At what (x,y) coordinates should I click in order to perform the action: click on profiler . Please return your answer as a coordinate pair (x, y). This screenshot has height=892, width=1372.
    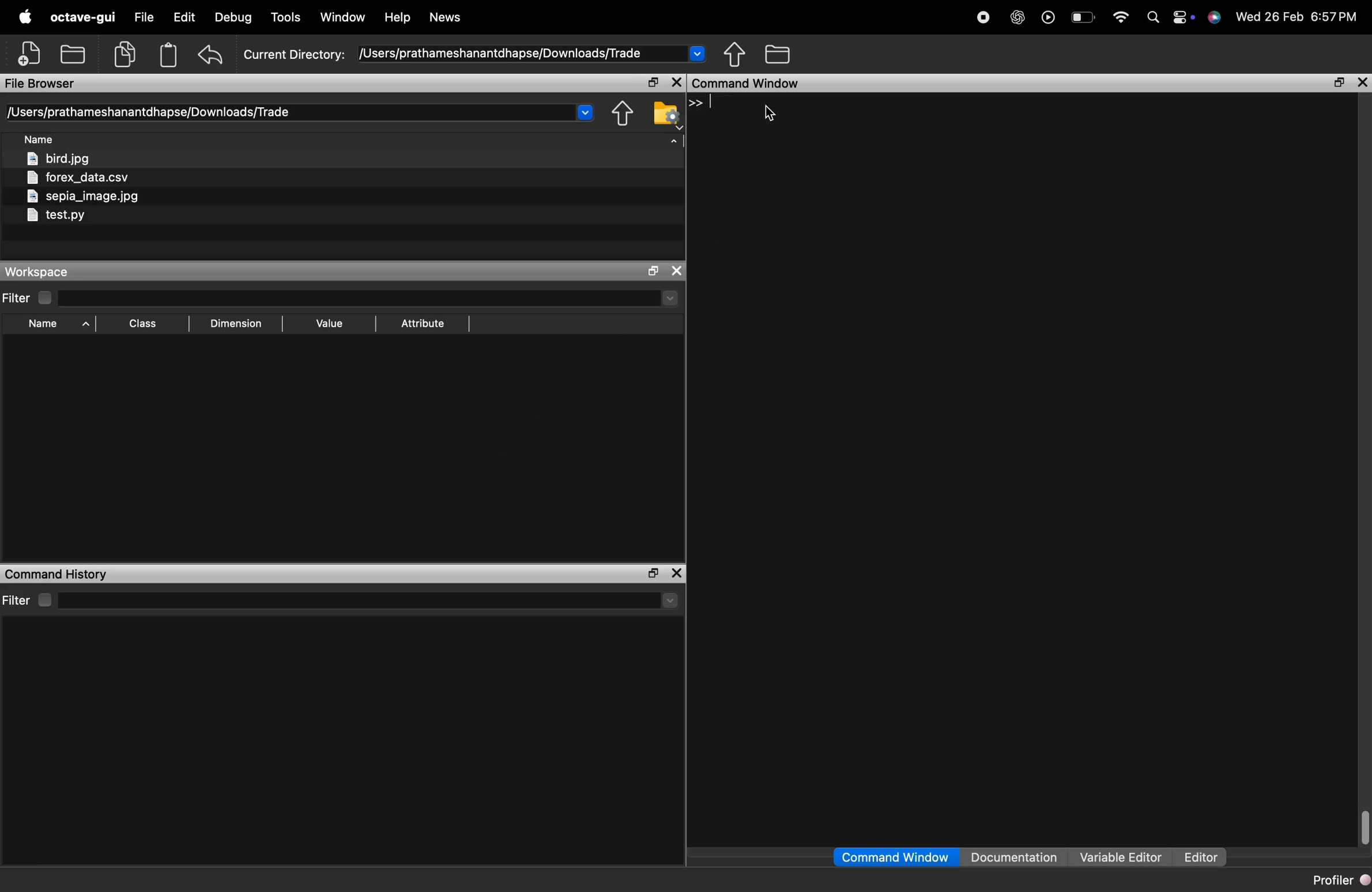
    Looking at the image, I should click on (1337, 880).